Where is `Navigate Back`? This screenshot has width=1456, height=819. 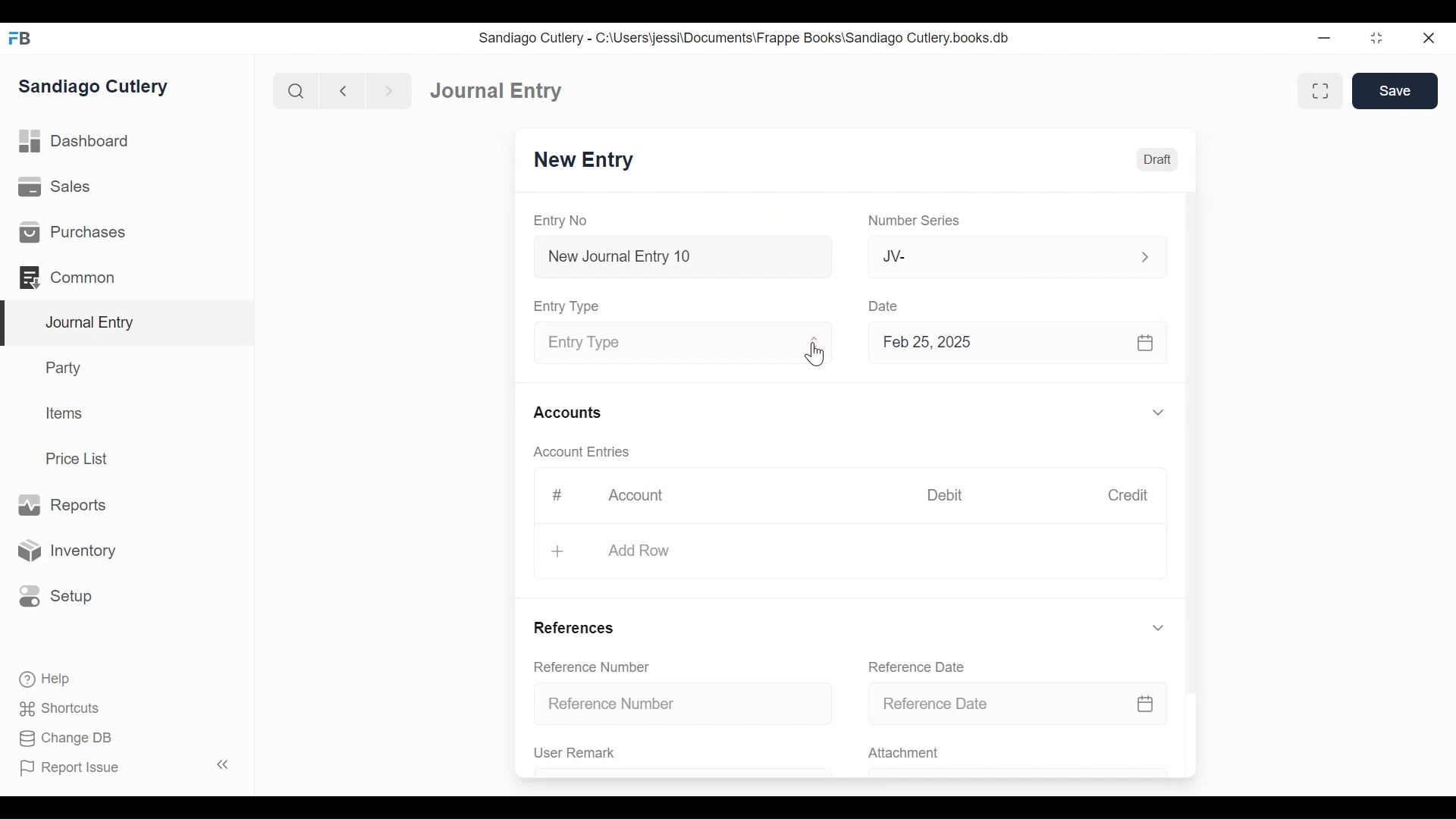
Navigate Back is located at coordinates (344, 91).